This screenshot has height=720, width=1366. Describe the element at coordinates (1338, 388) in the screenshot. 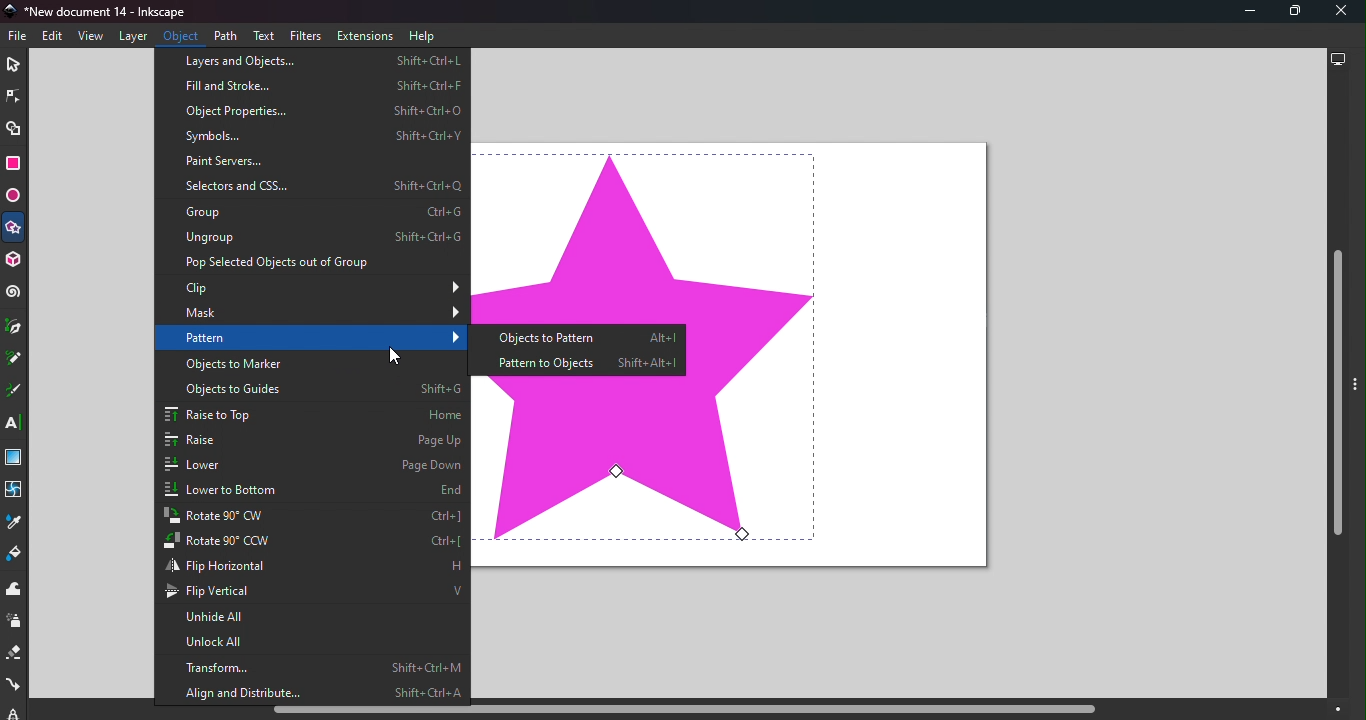

I see `Vertical scroll bar` at that location.